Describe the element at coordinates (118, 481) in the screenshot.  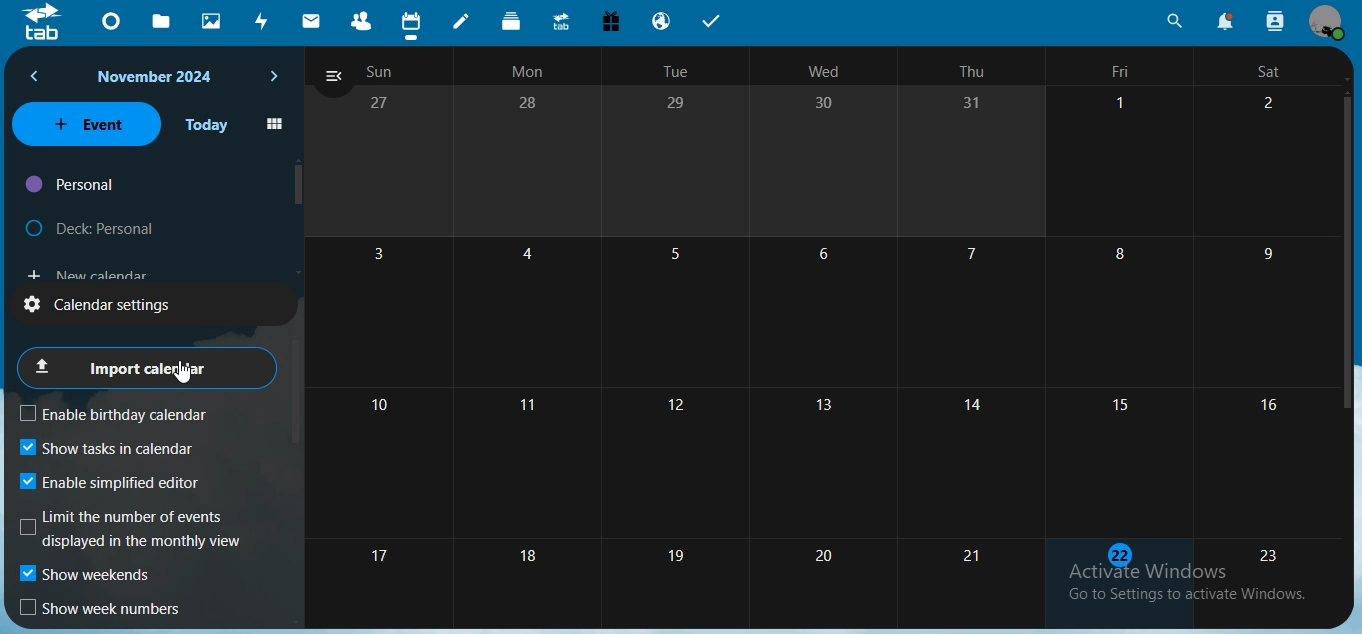
I see `enable simplified editor` at that location.